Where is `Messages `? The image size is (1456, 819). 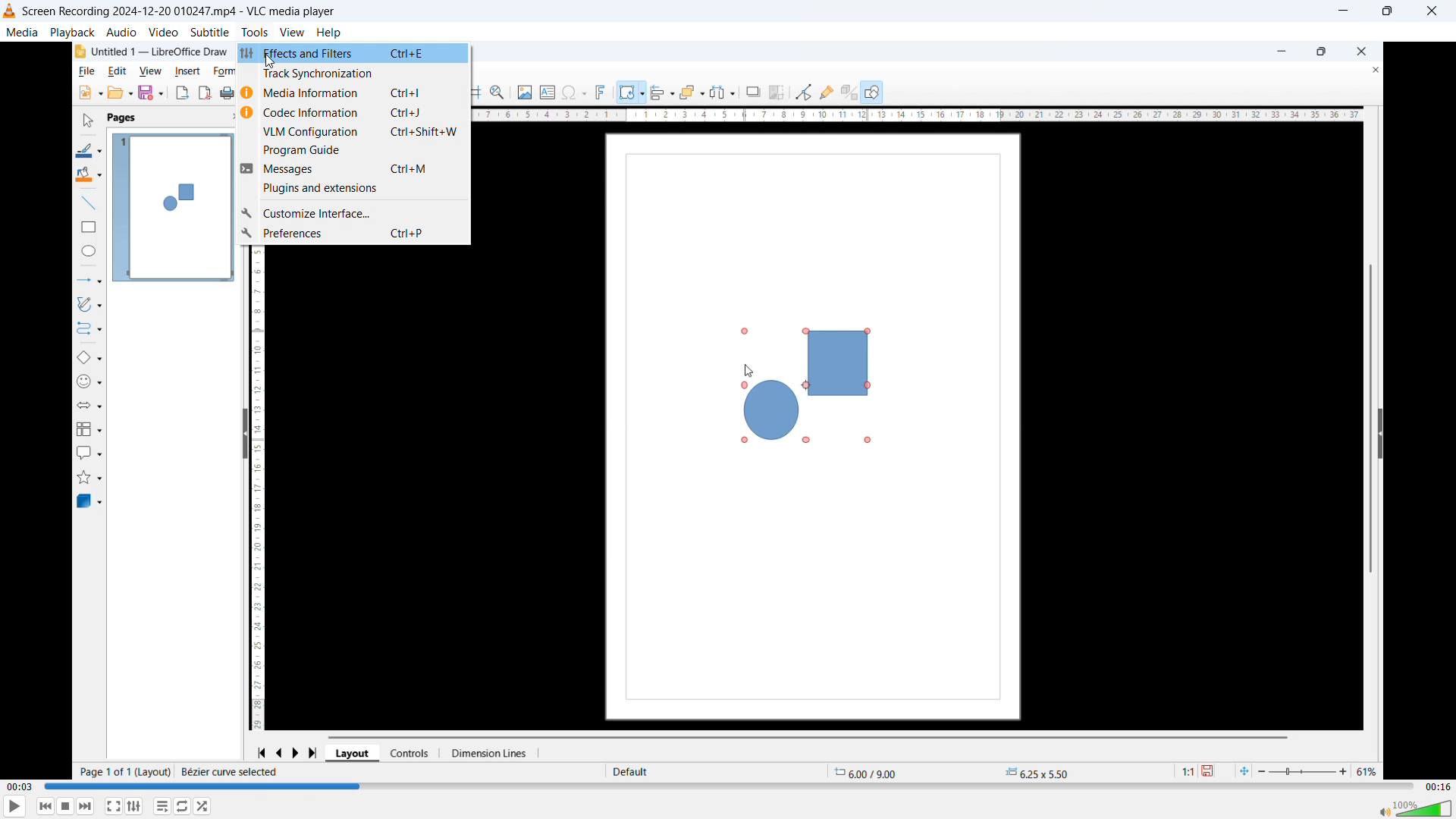
Messages  is located at coordinates (352, 169).